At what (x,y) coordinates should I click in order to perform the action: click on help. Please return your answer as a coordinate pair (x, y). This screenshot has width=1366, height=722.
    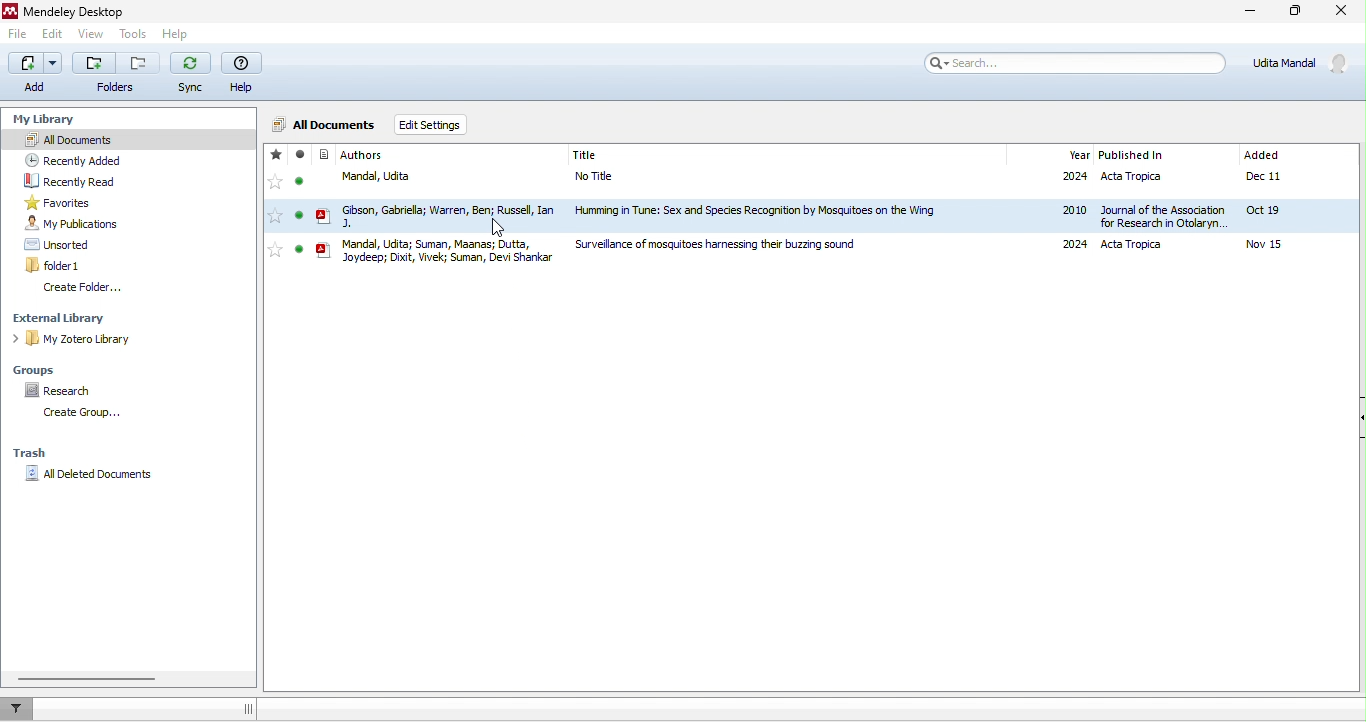
    Looking at the image, I should click on (243, 87).